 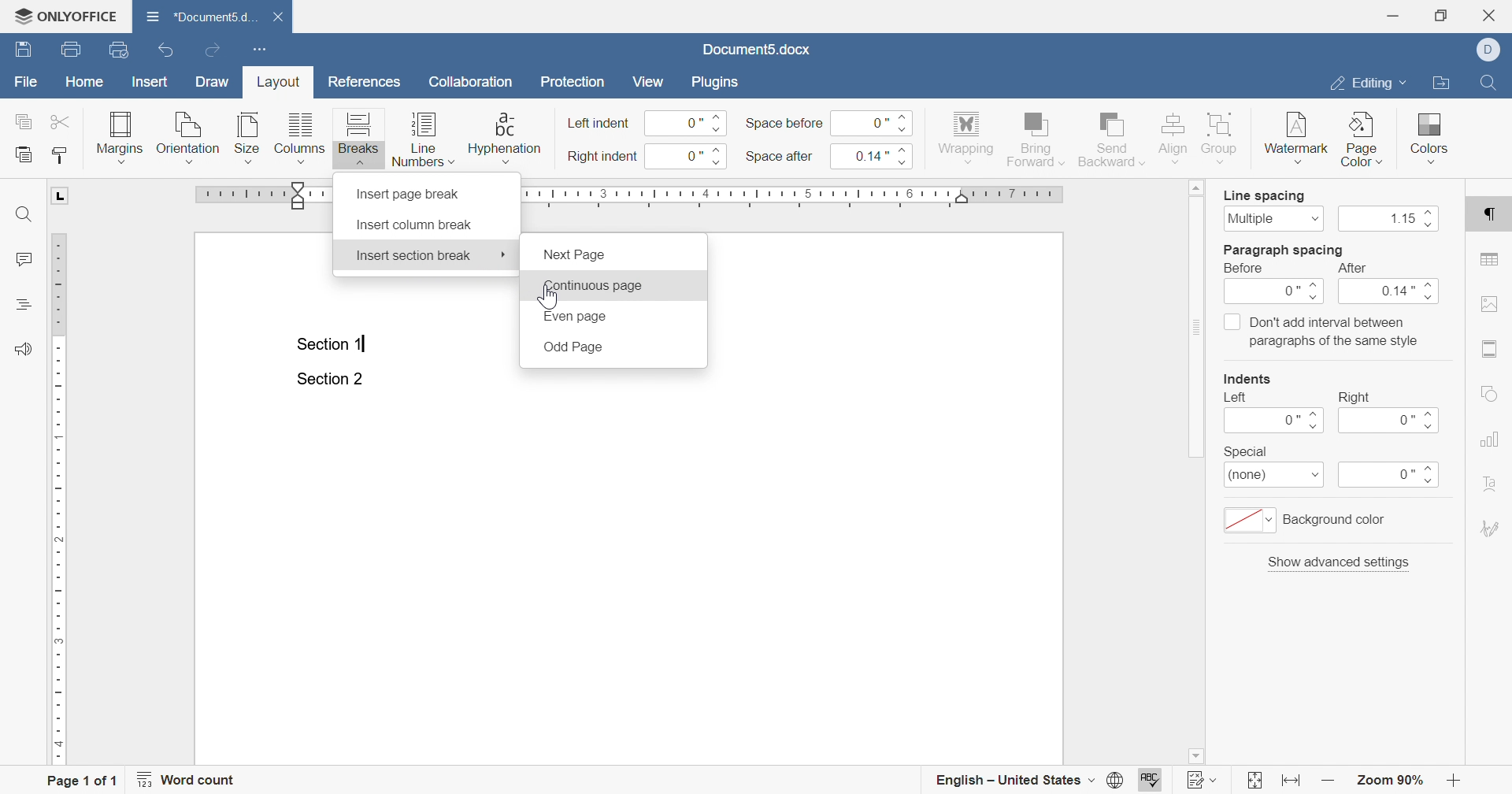 What do you see at coordinates (504, 136) in the screenshot?
I see `hyphenation` at bounding box center [504, 136].